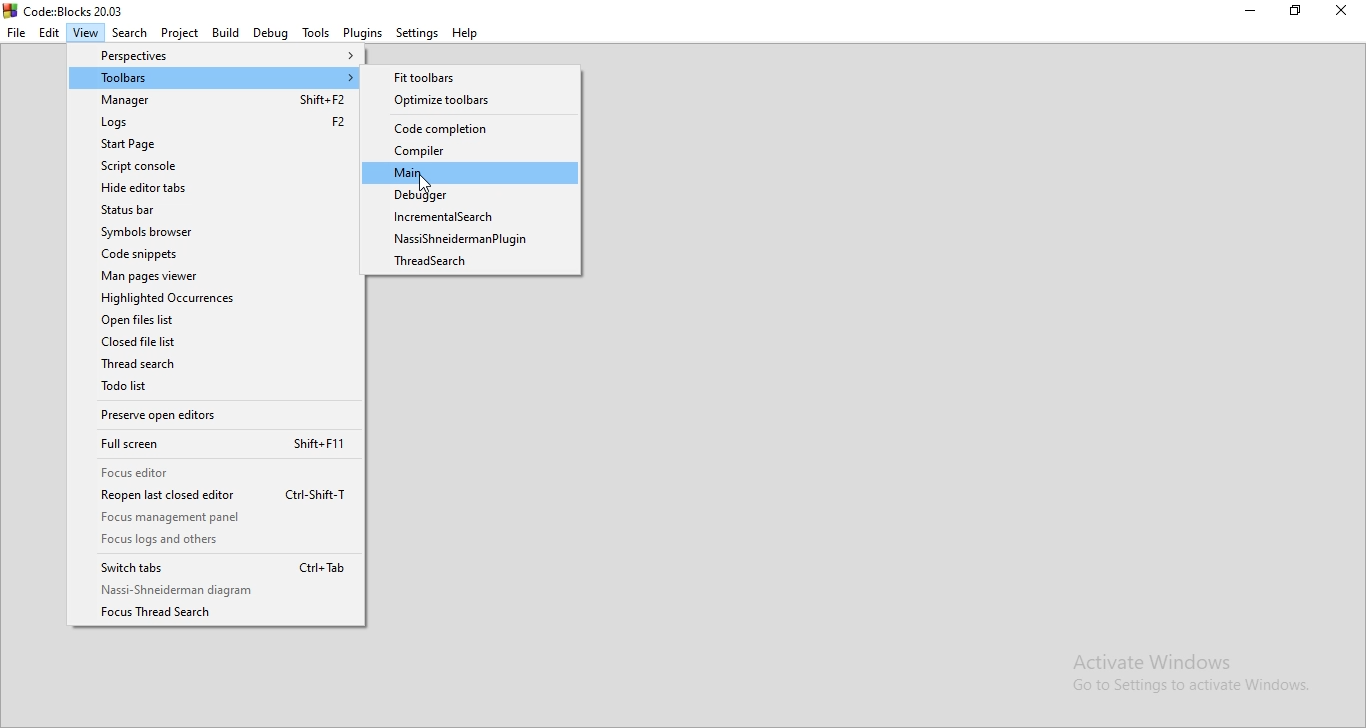  I want to click on Full screen, so click(224, 447).